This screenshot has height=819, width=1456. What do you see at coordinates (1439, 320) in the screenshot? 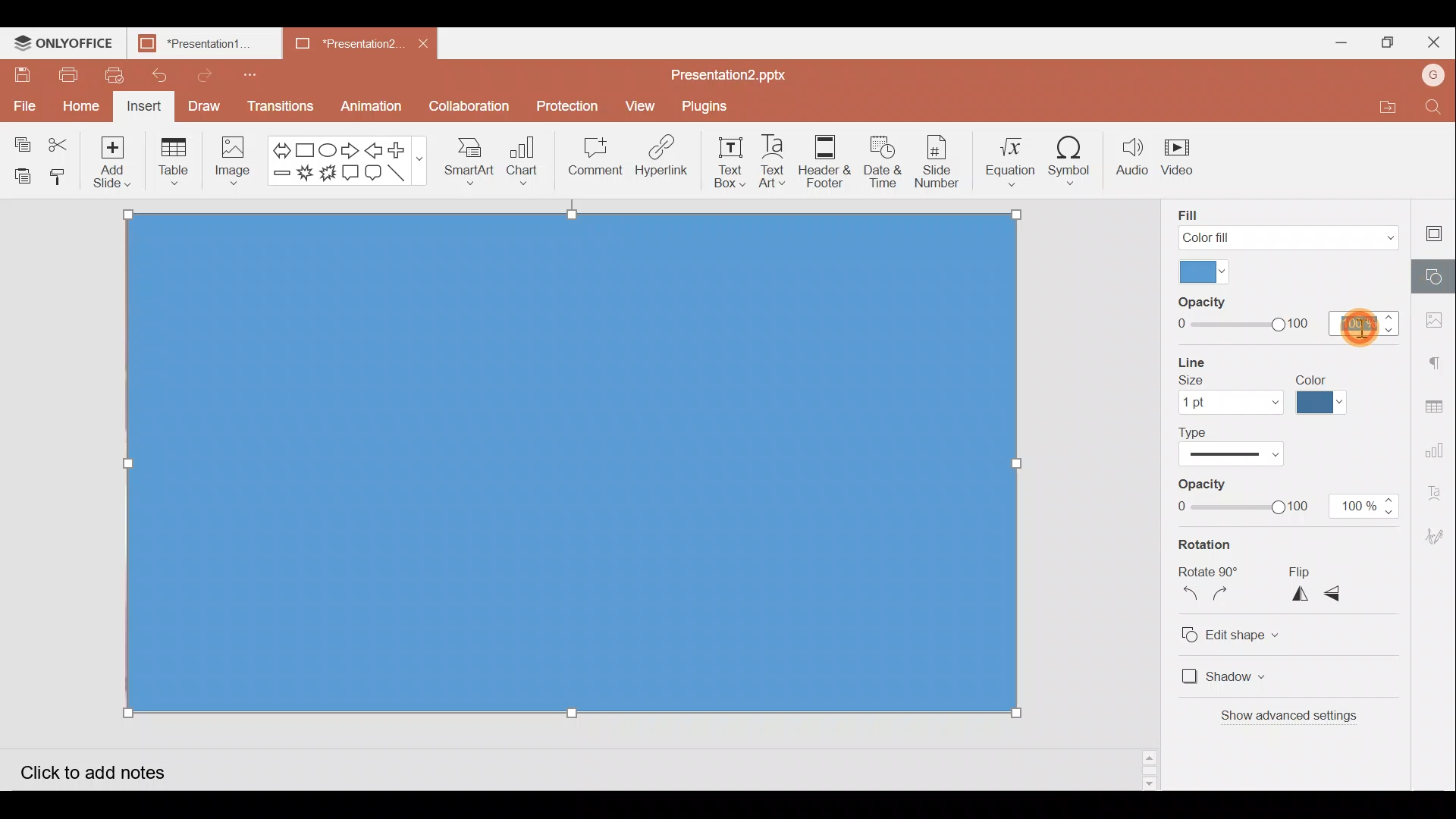
I see `Image settings` at bounding box center [1439, 320].